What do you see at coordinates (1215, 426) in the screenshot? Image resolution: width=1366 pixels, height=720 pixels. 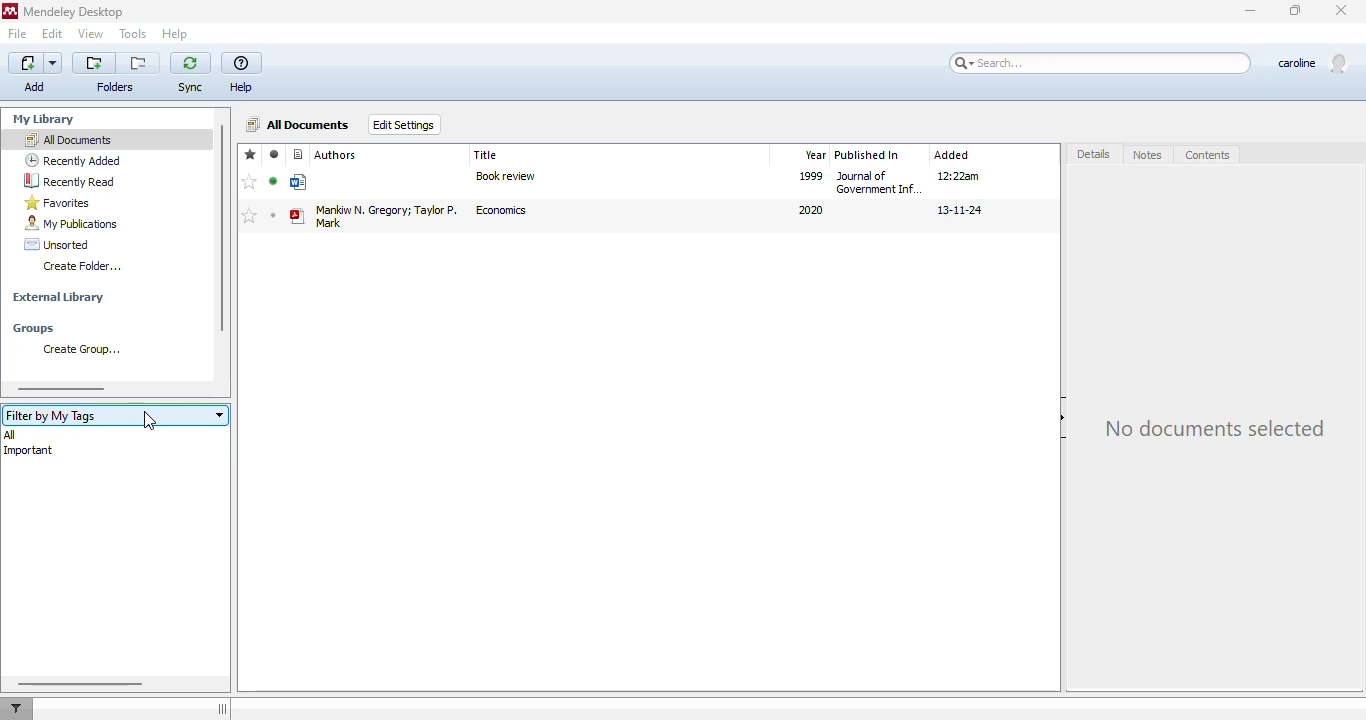 I see `no documents selected` at bounding box center [1215, 426].